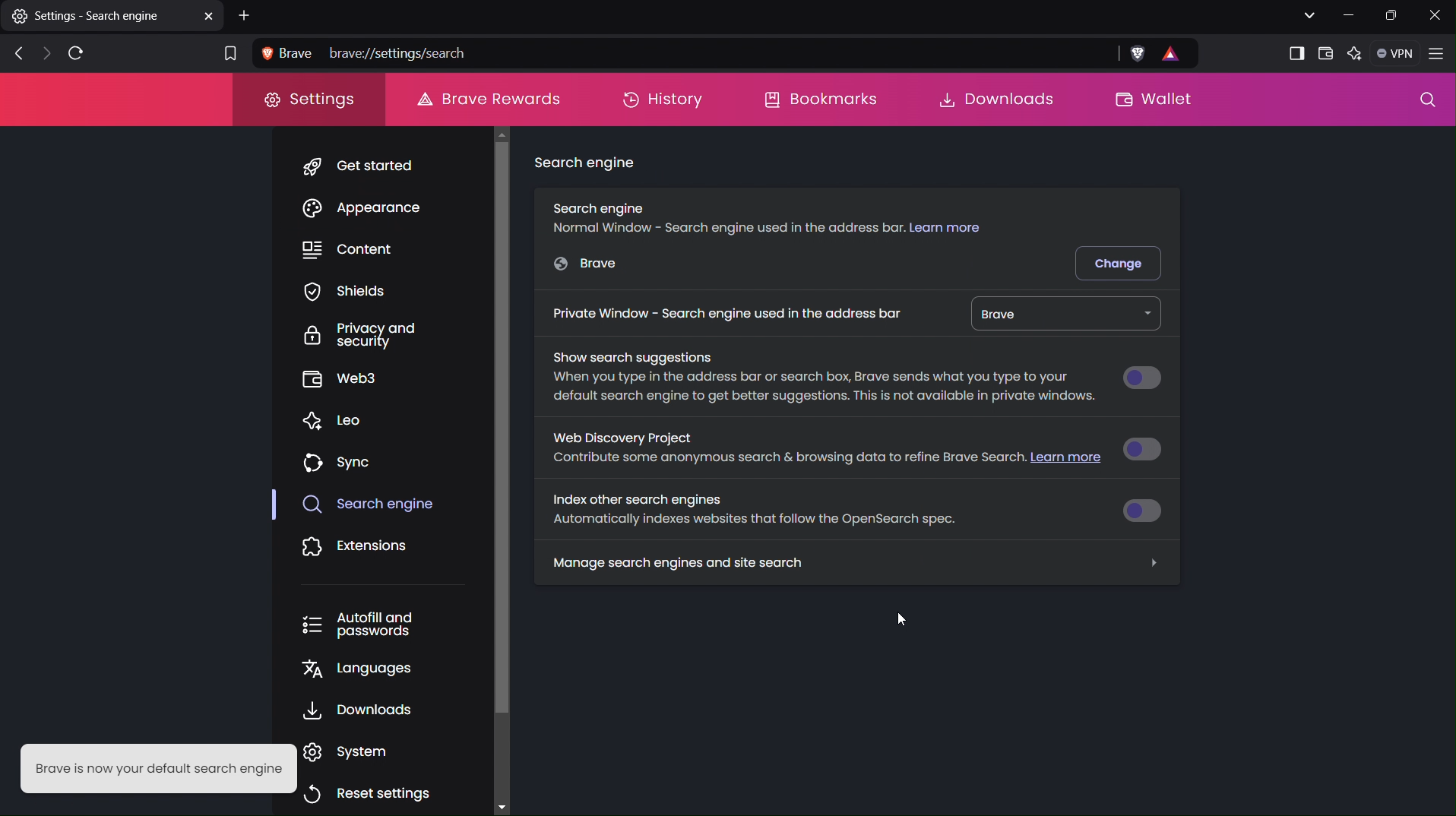  What do you see at coordinates (375, 165) in the screenshot?
I see `Get Started` at bounding box center [375, 165].